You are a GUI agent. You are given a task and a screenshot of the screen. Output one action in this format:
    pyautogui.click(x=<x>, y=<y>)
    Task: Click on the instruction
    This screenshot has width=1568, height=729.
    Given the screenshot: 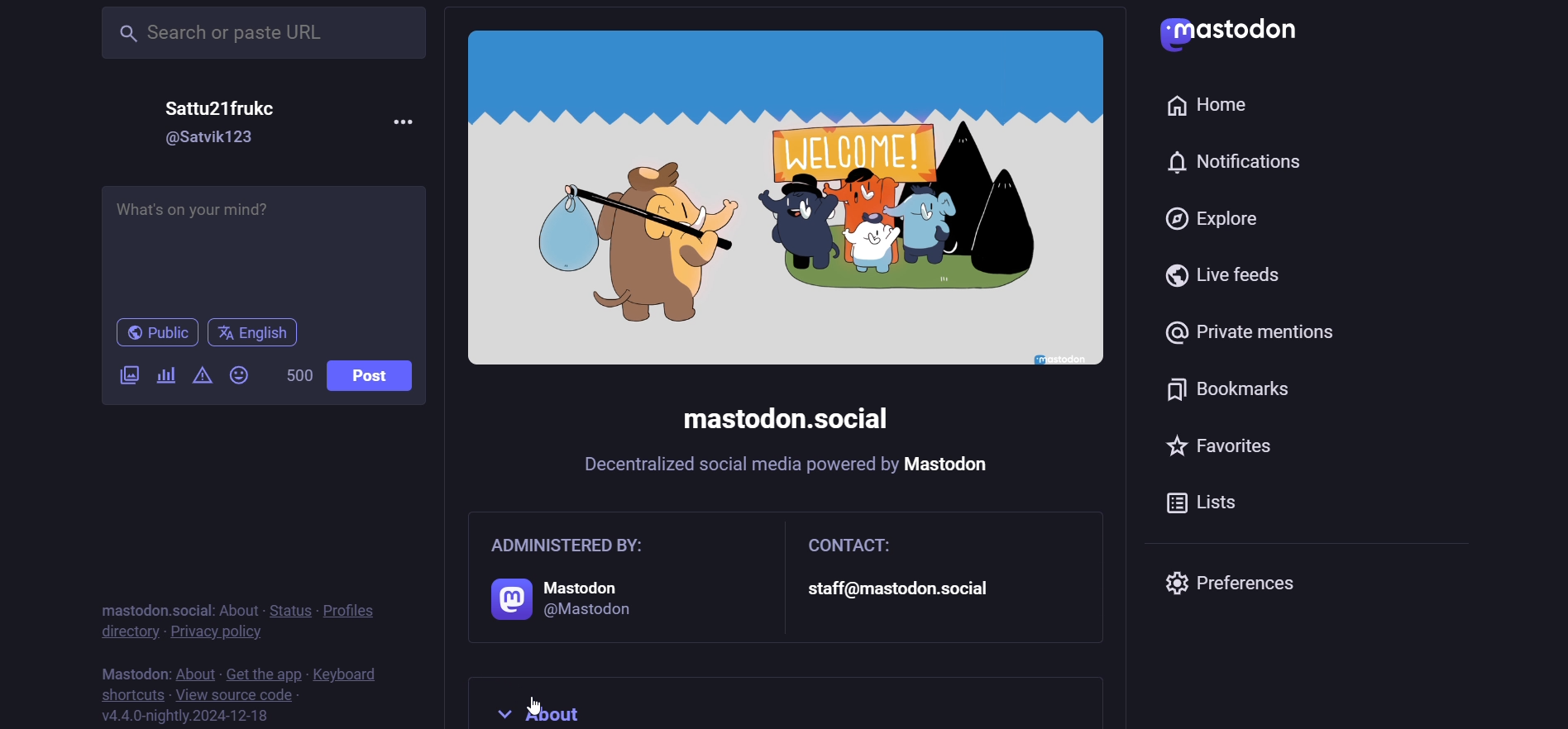 What is the action you would take?
    pyautogui.click(x=789, y=468)
    